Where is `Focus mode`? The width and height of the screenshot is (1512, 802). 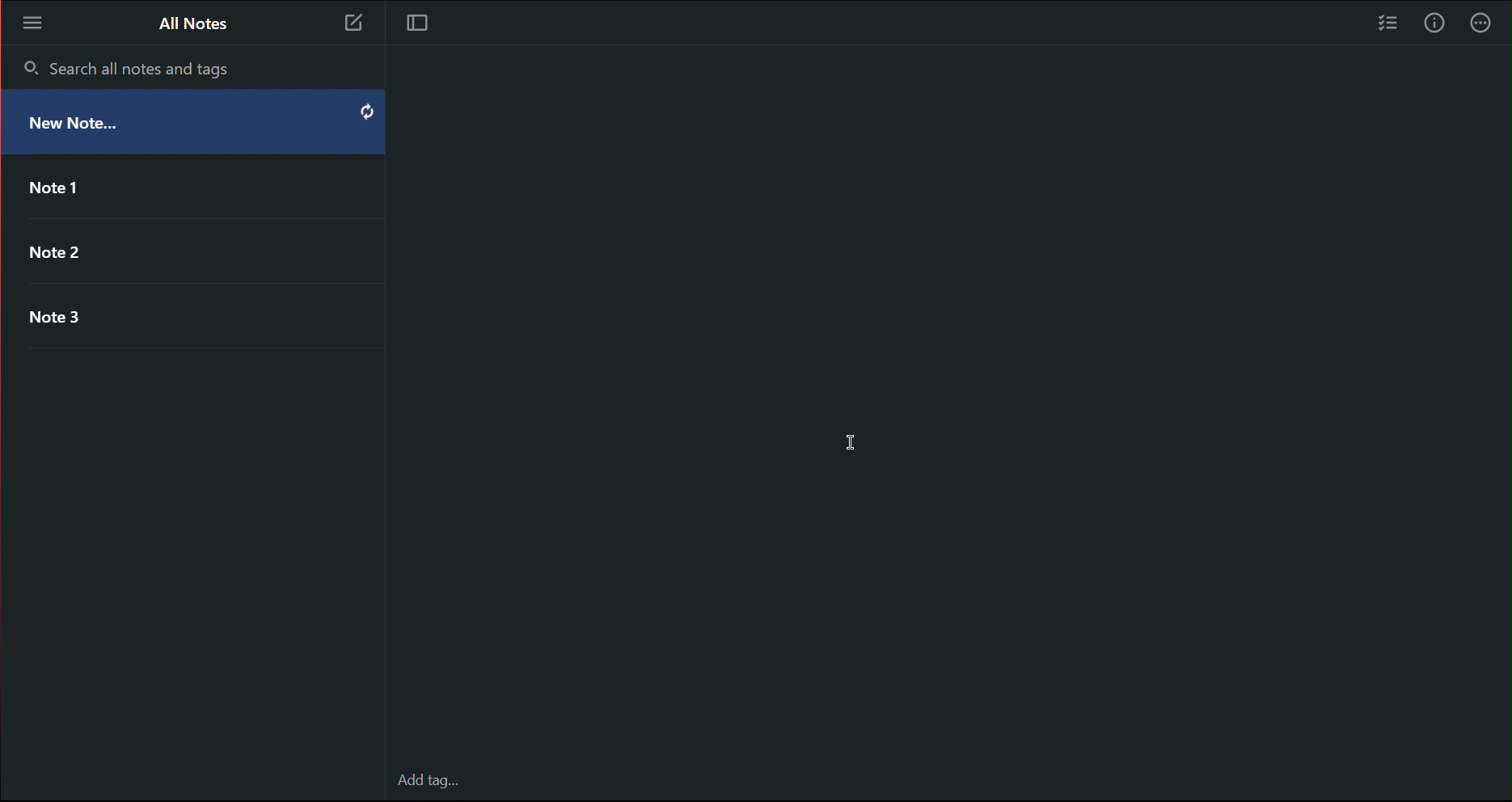 Focus mode is located at coordinates (416, 27).